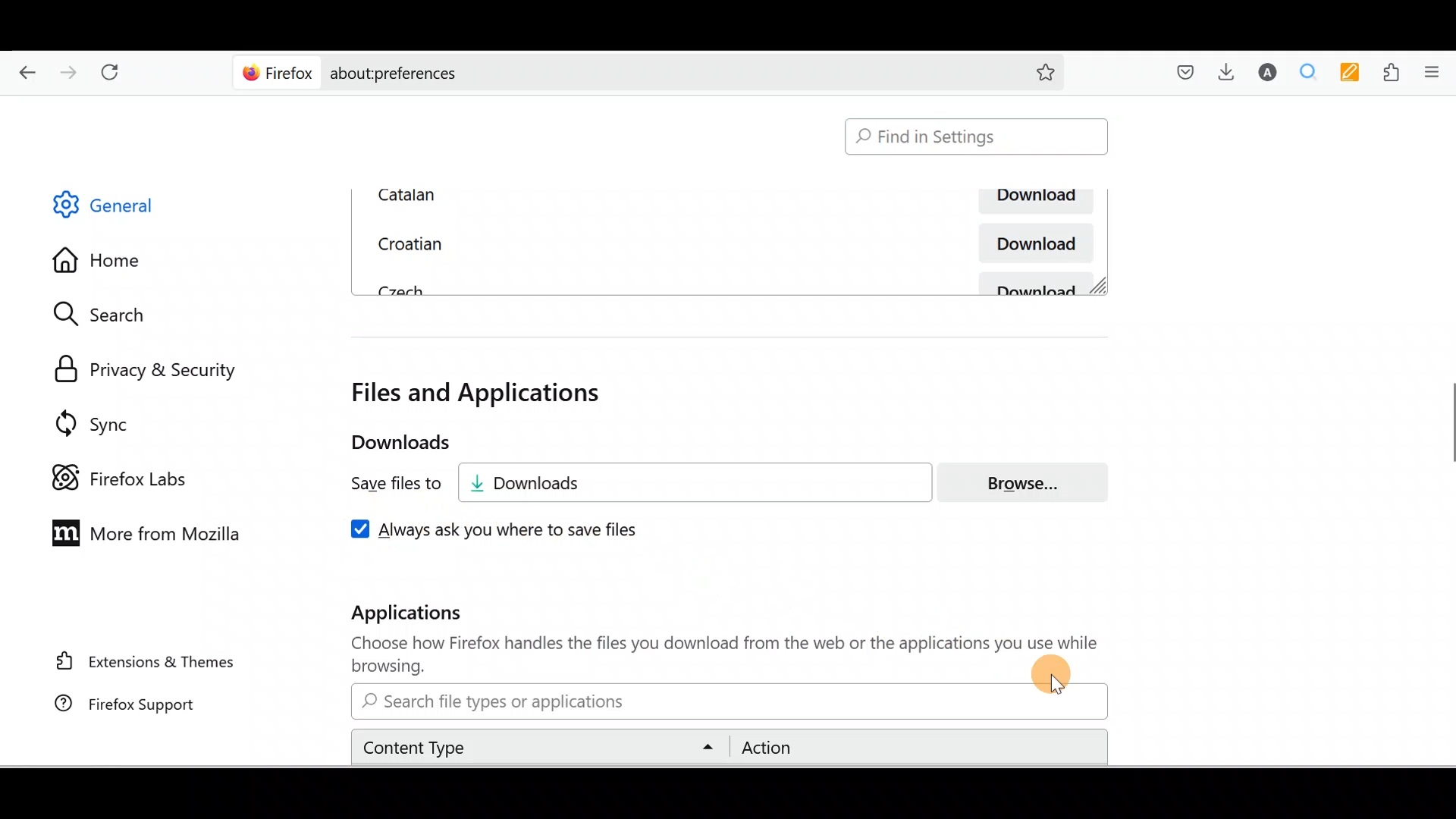 The image size is (1456, 819). Describe the element at coordinates (149, 535) in the screenshot. I see `More from Mozilla` at that location.